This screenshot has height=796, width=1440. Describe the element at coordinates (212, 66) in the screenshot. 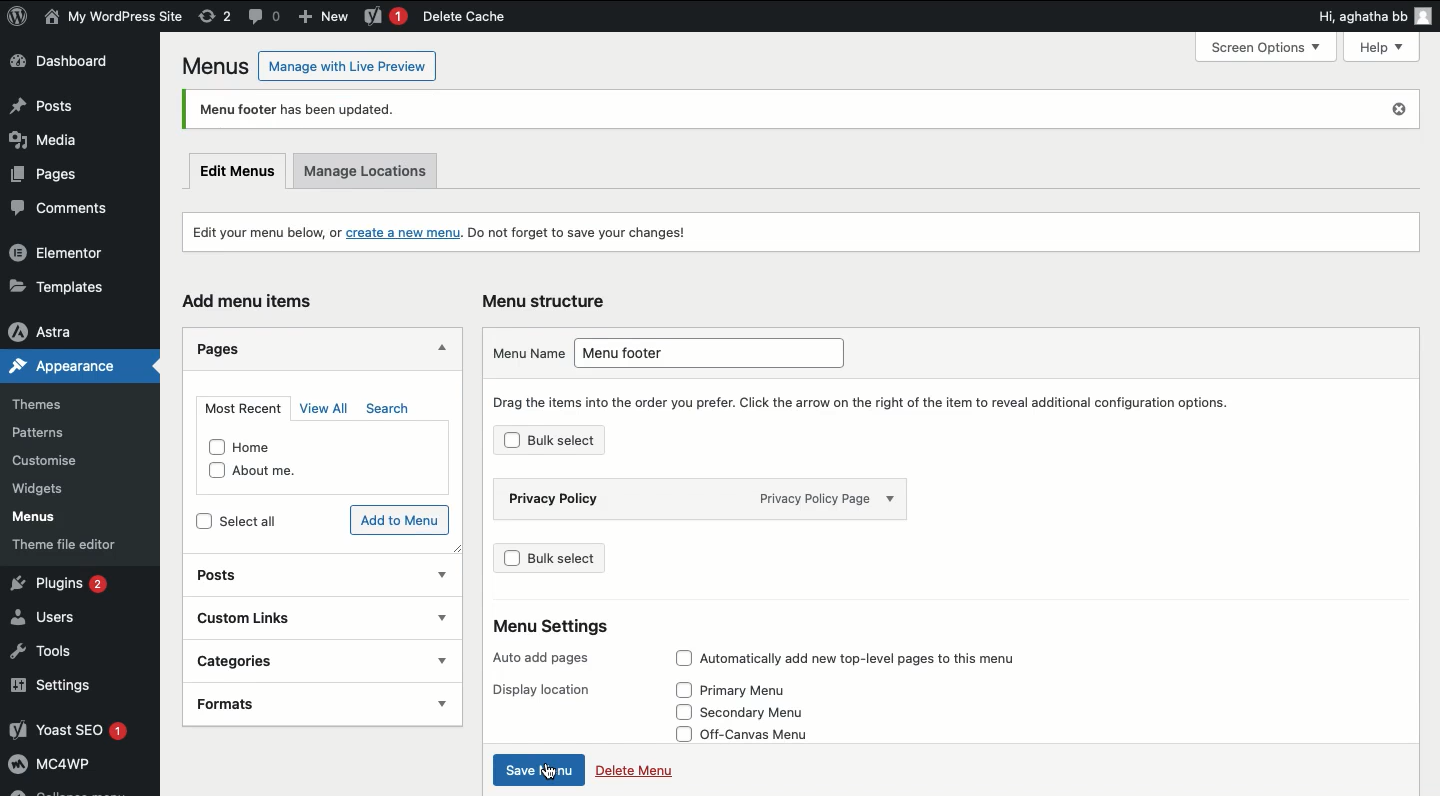

I see `Menus` at that location.